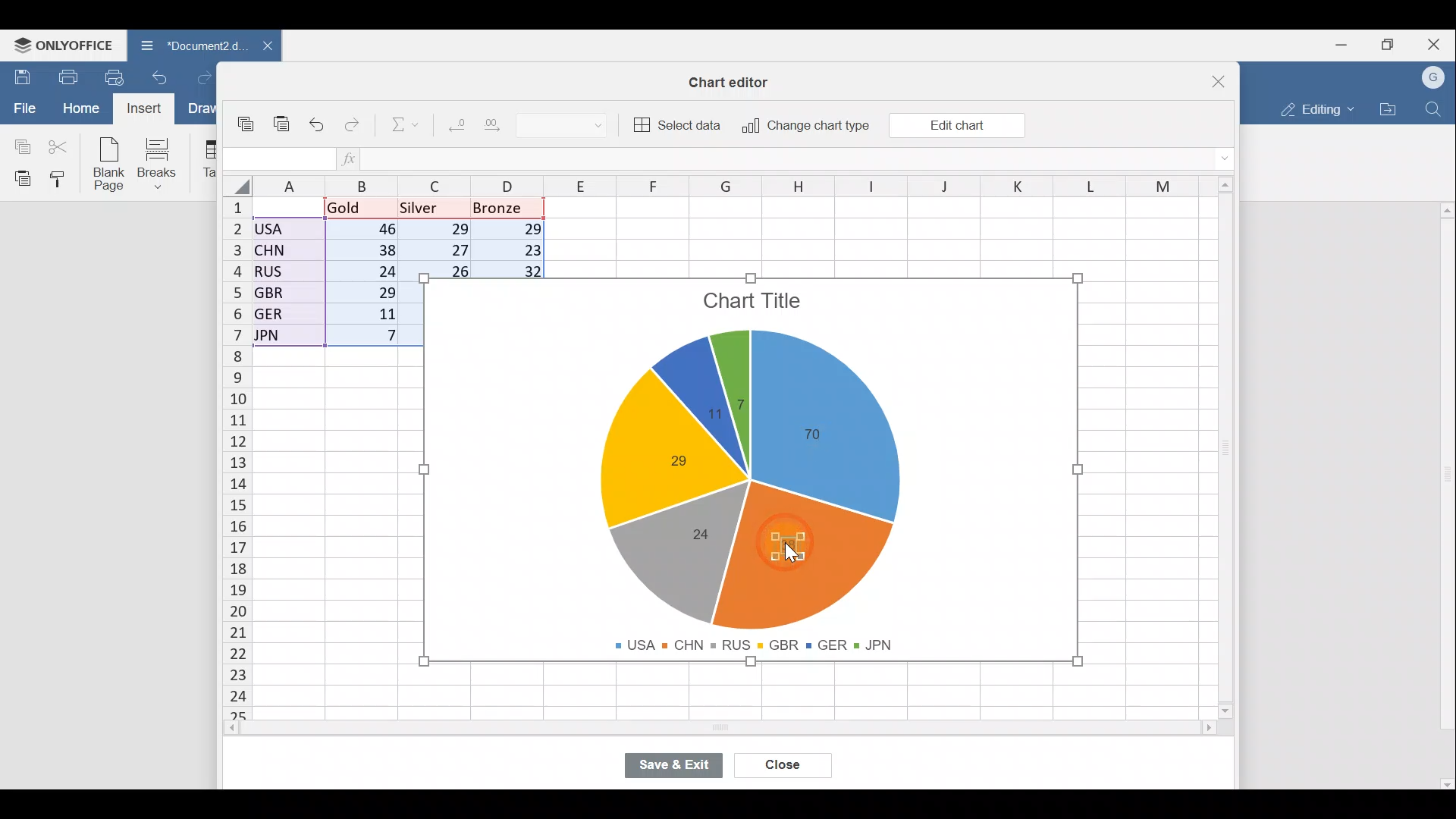 This screenshot has width=1456, height=819. Describe the element at coordinates (19, 77) in the screenshot. I see `Save` at that location.